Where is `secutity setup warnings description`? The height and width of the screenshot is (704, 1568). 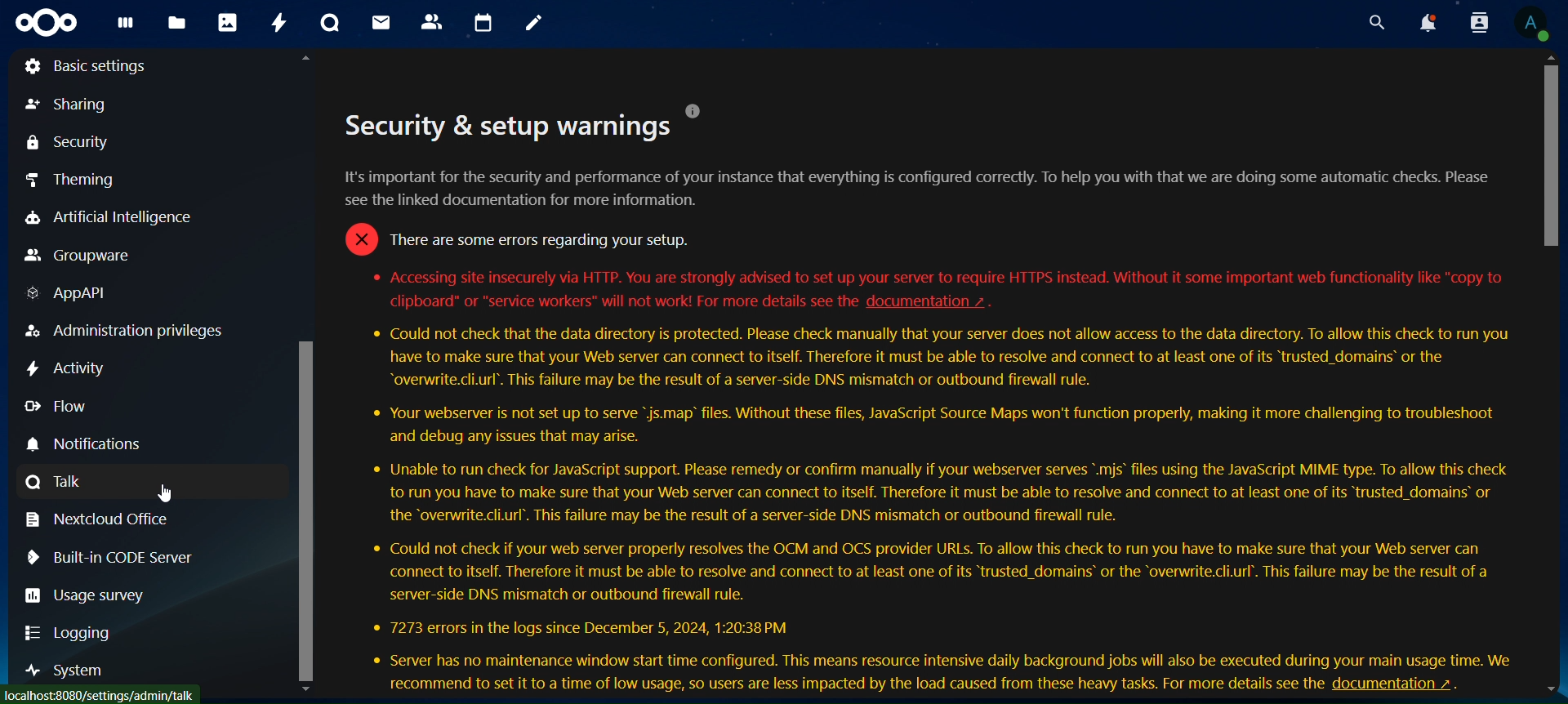
secutity setup warnings description is located at coordinates (933, 399).